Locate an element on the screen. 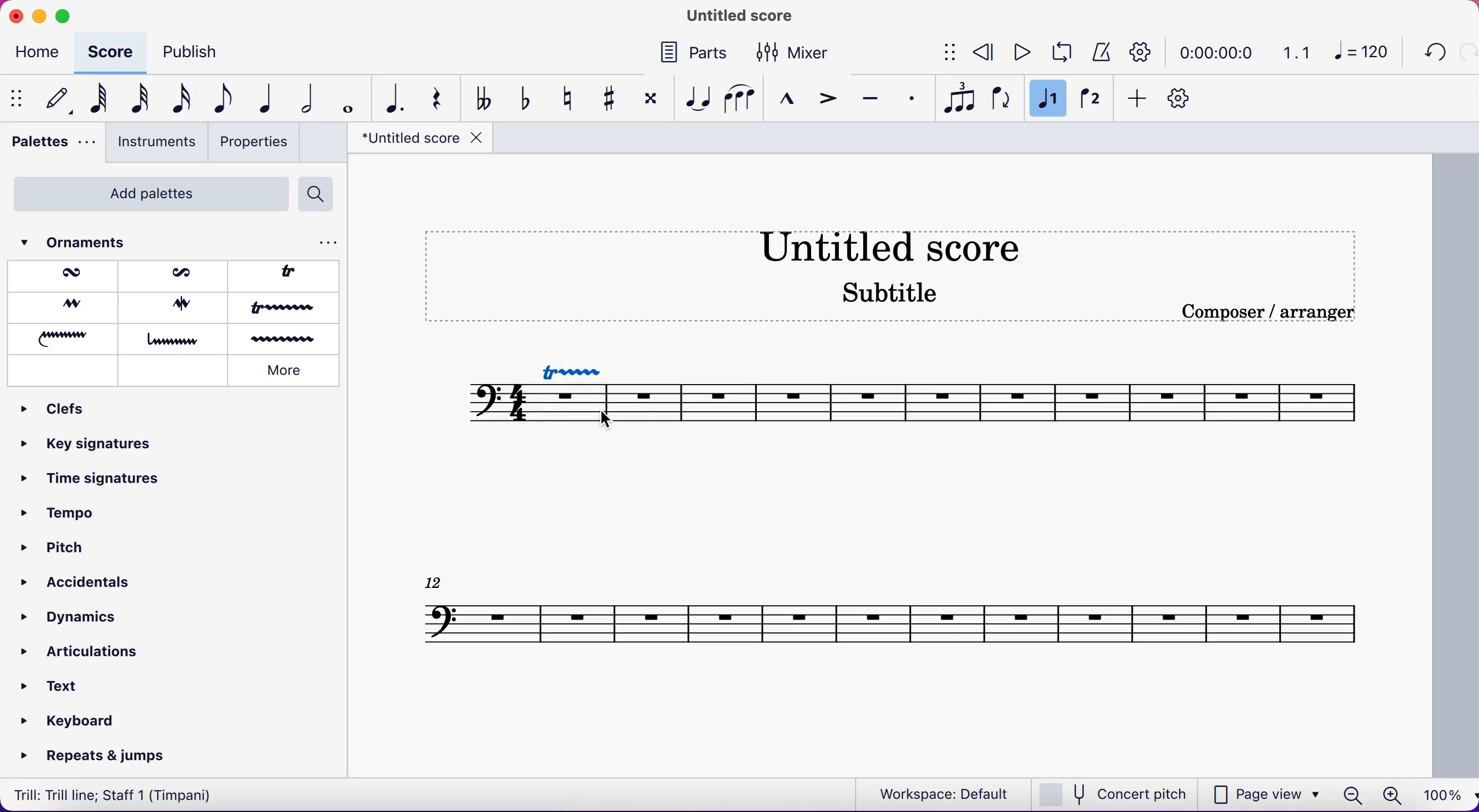  instruments is located at coordinates (155, 143).